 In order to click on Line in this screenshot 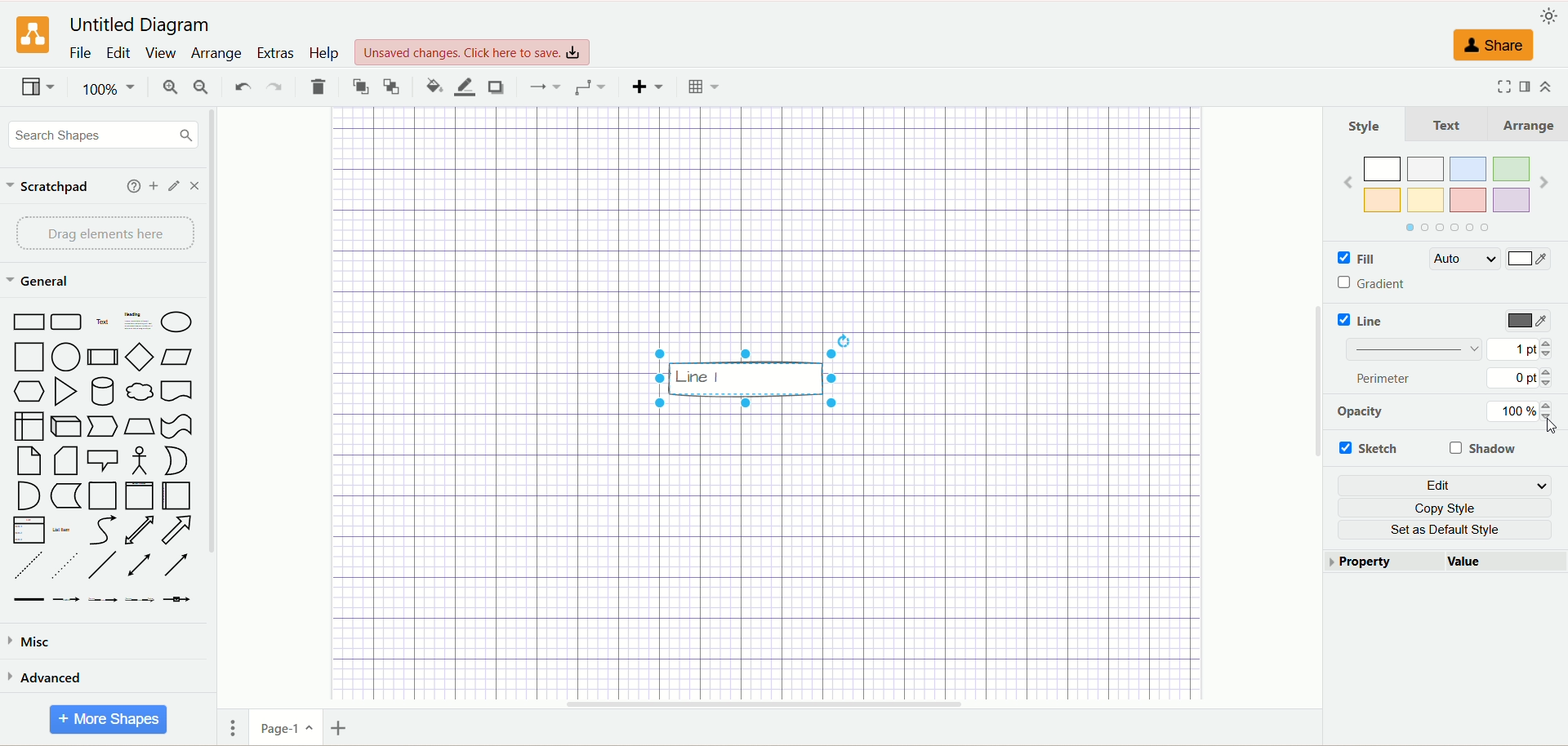, I will do `click(103, 566)`.